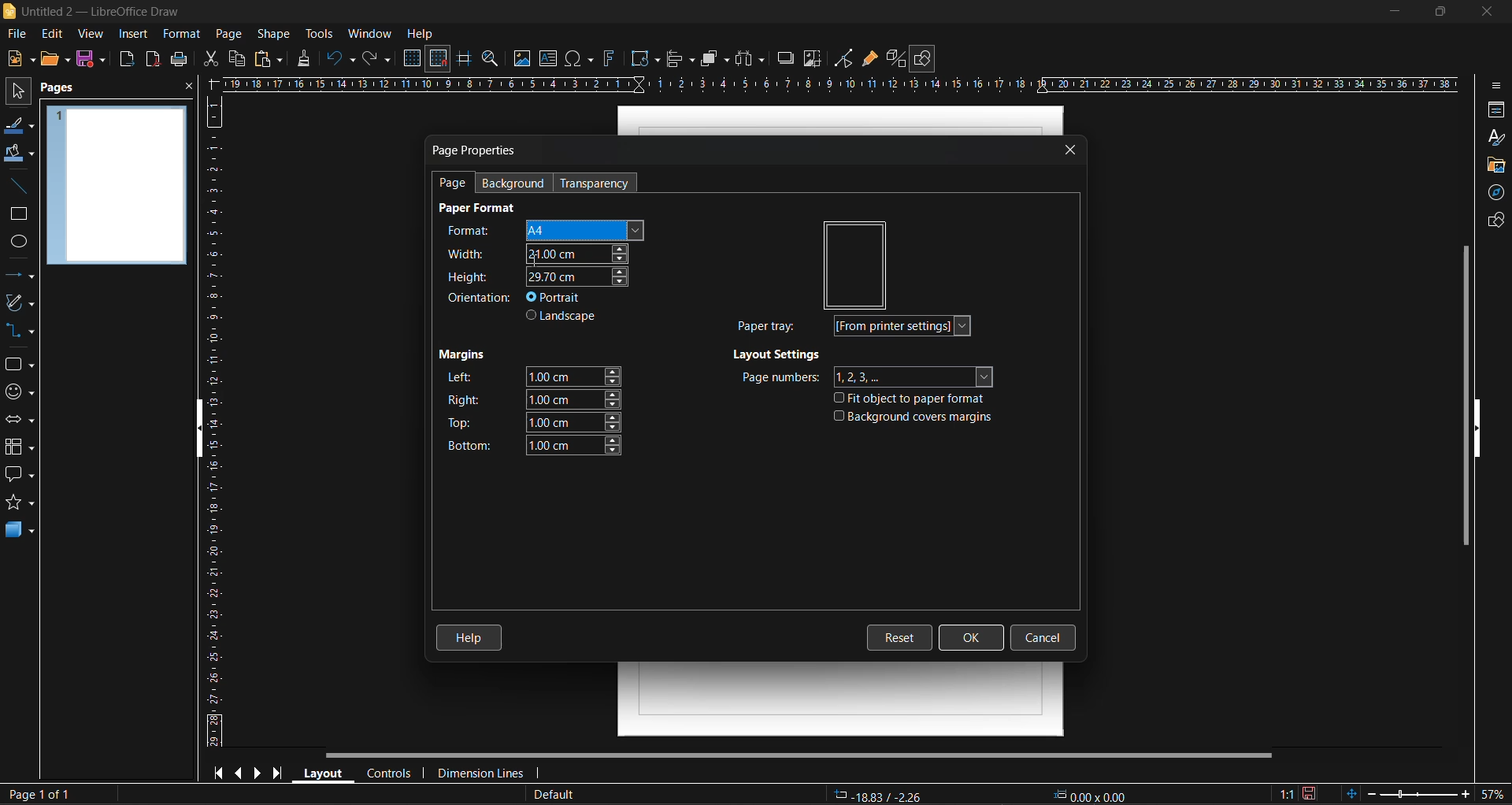 Image resolution: width=1512 pixels, height=805 pixels. Describe the element at coordinates (192, 429) in the screenshot. I see `hide` at that location.